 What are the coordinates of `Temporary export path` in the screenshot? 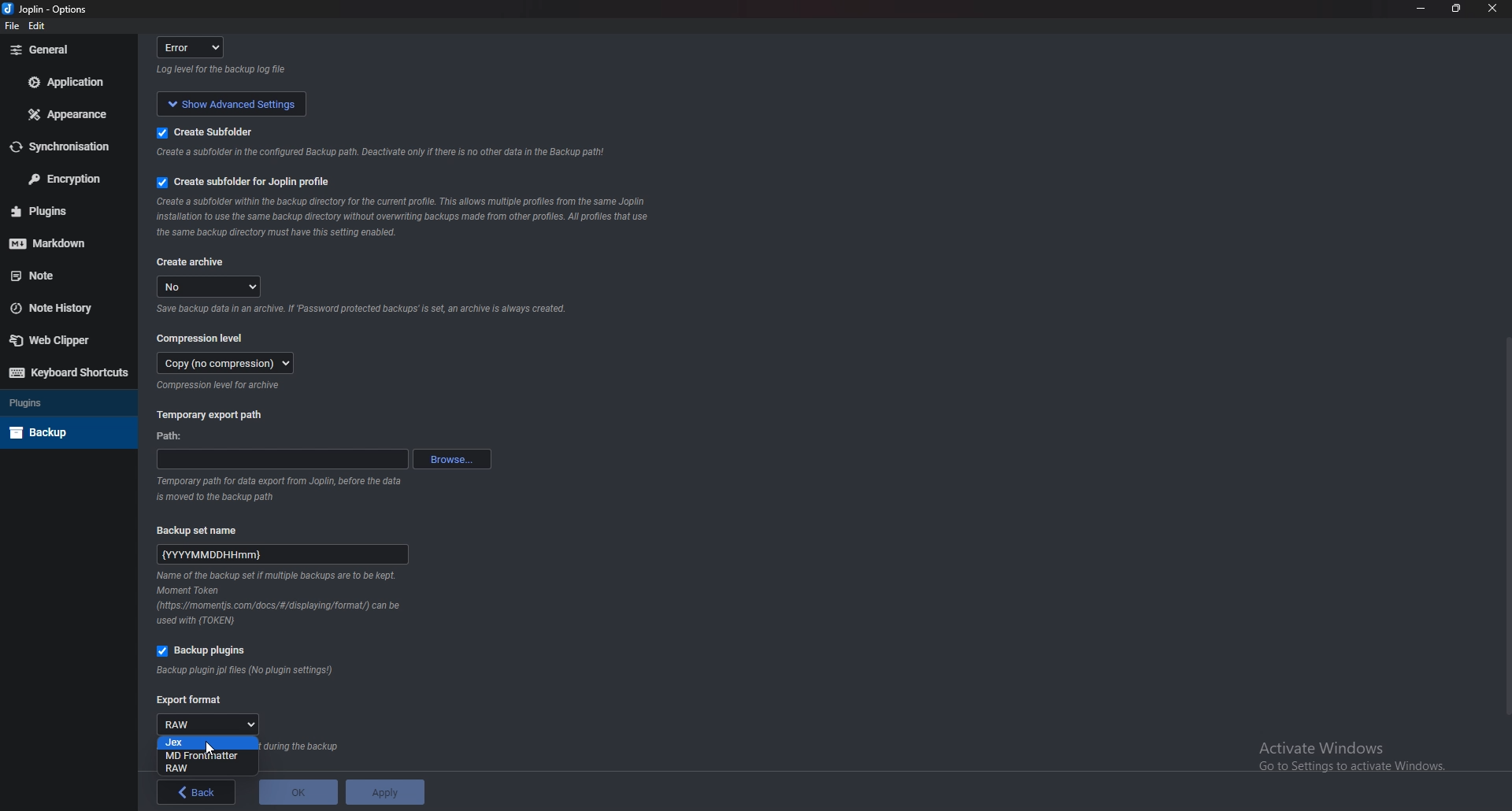 It's located at (211, 414).